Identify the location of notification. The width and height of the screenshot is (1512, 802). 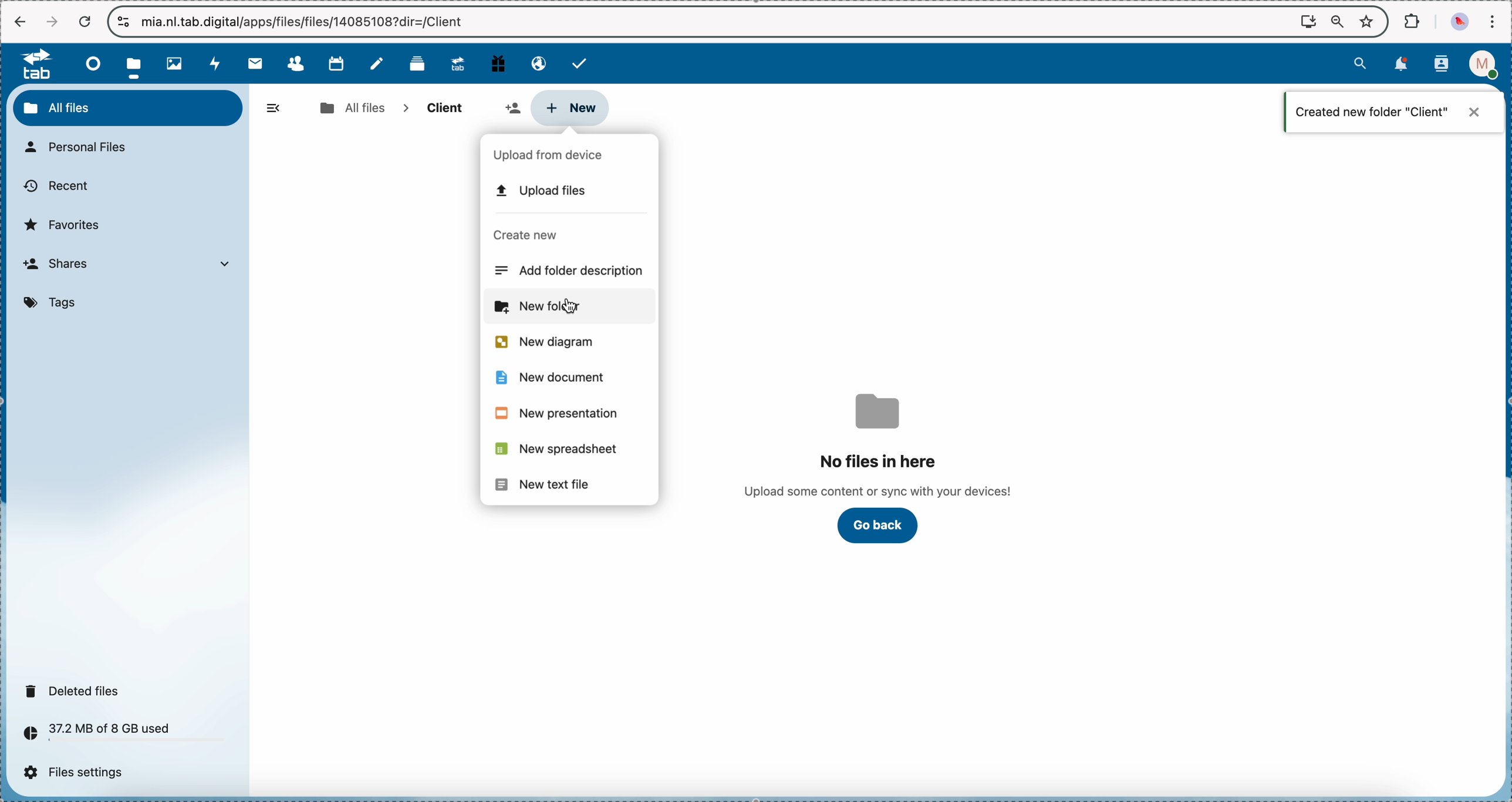
(1395, 112).